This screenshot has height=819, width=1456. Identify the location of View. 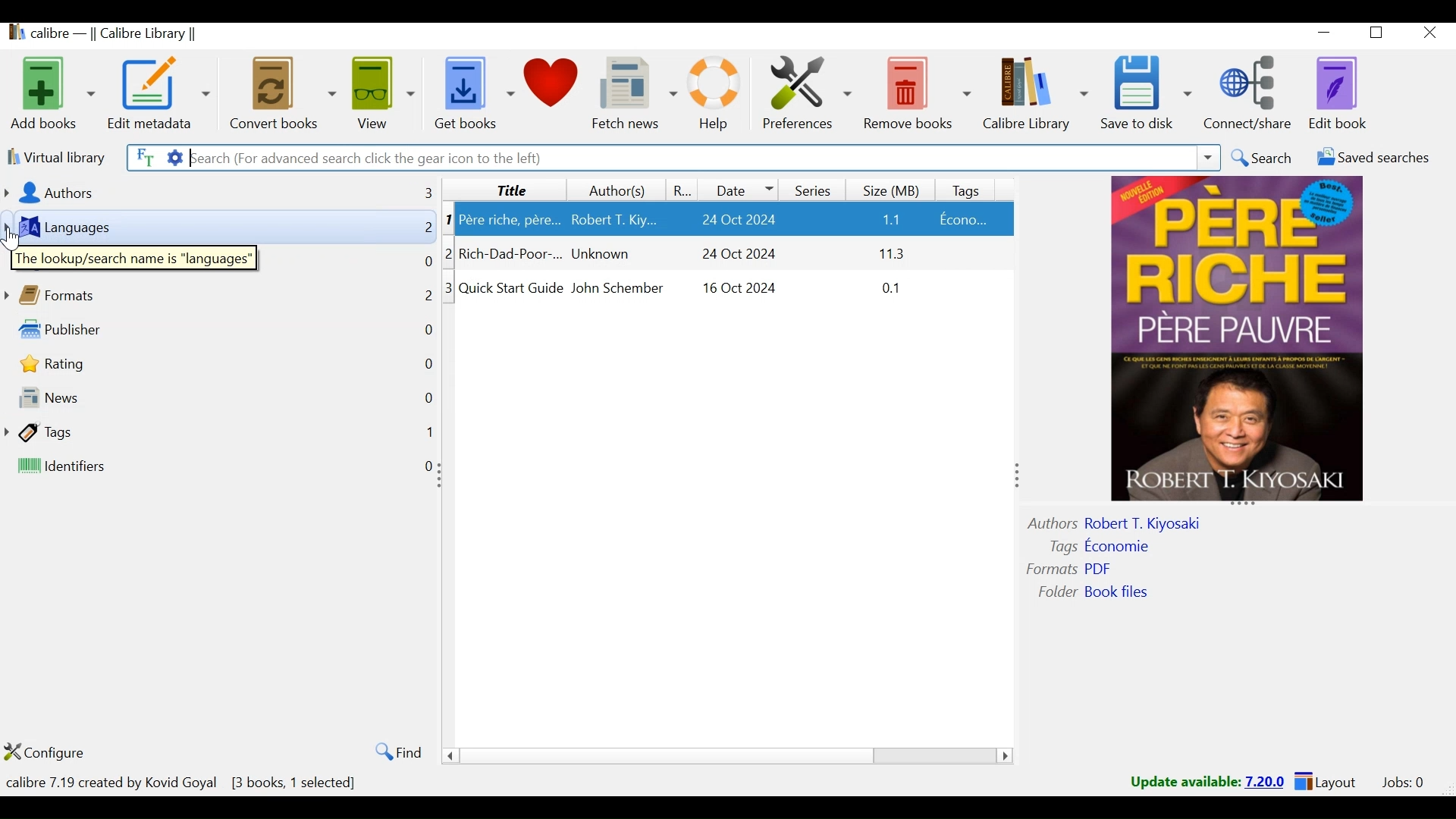
(384, 93).